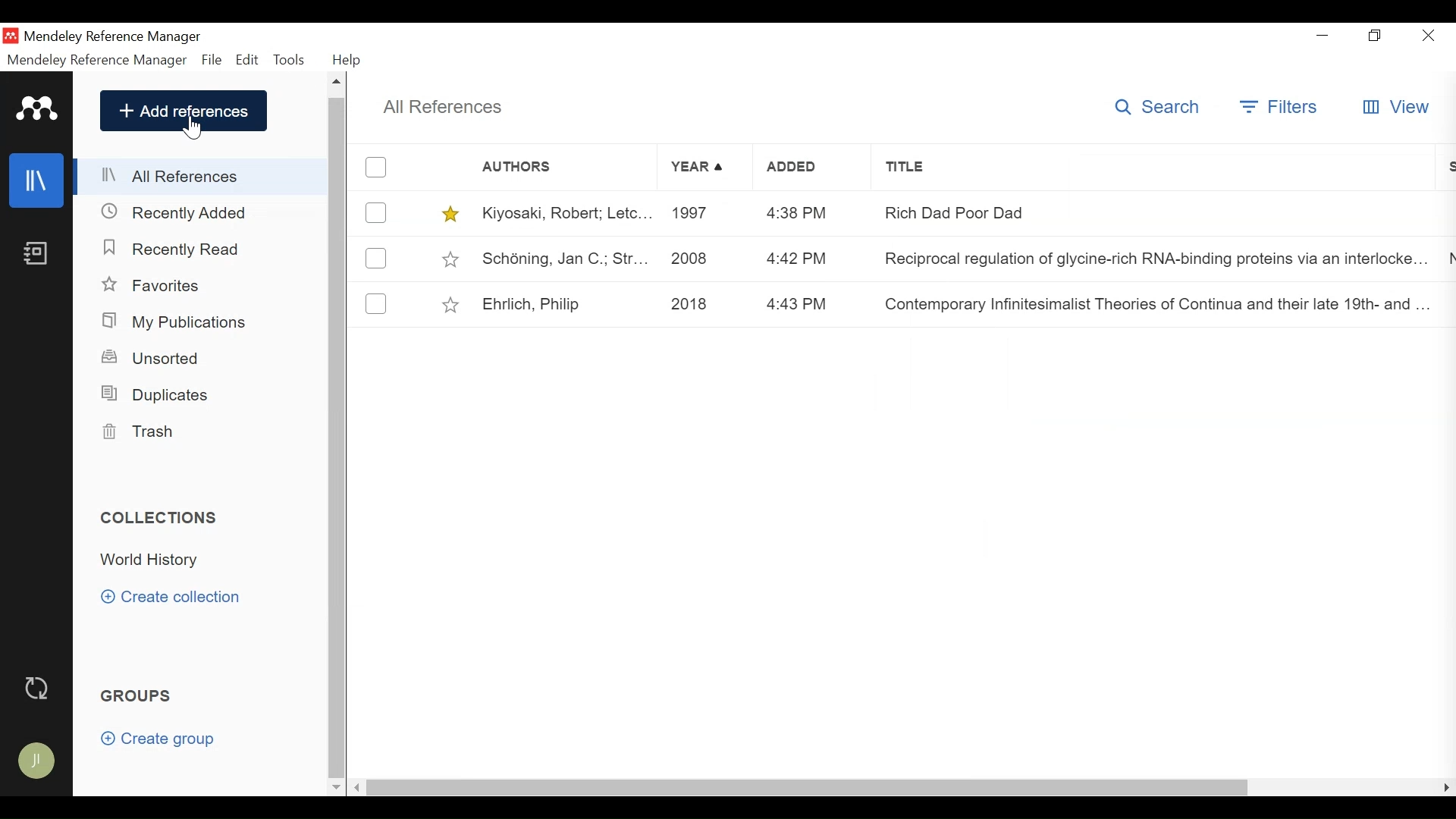 The width and height of the screenshot is (1456, 819). Describe the element at coordinates (39, 253) in the screenshot. I see `Notees` at that location.